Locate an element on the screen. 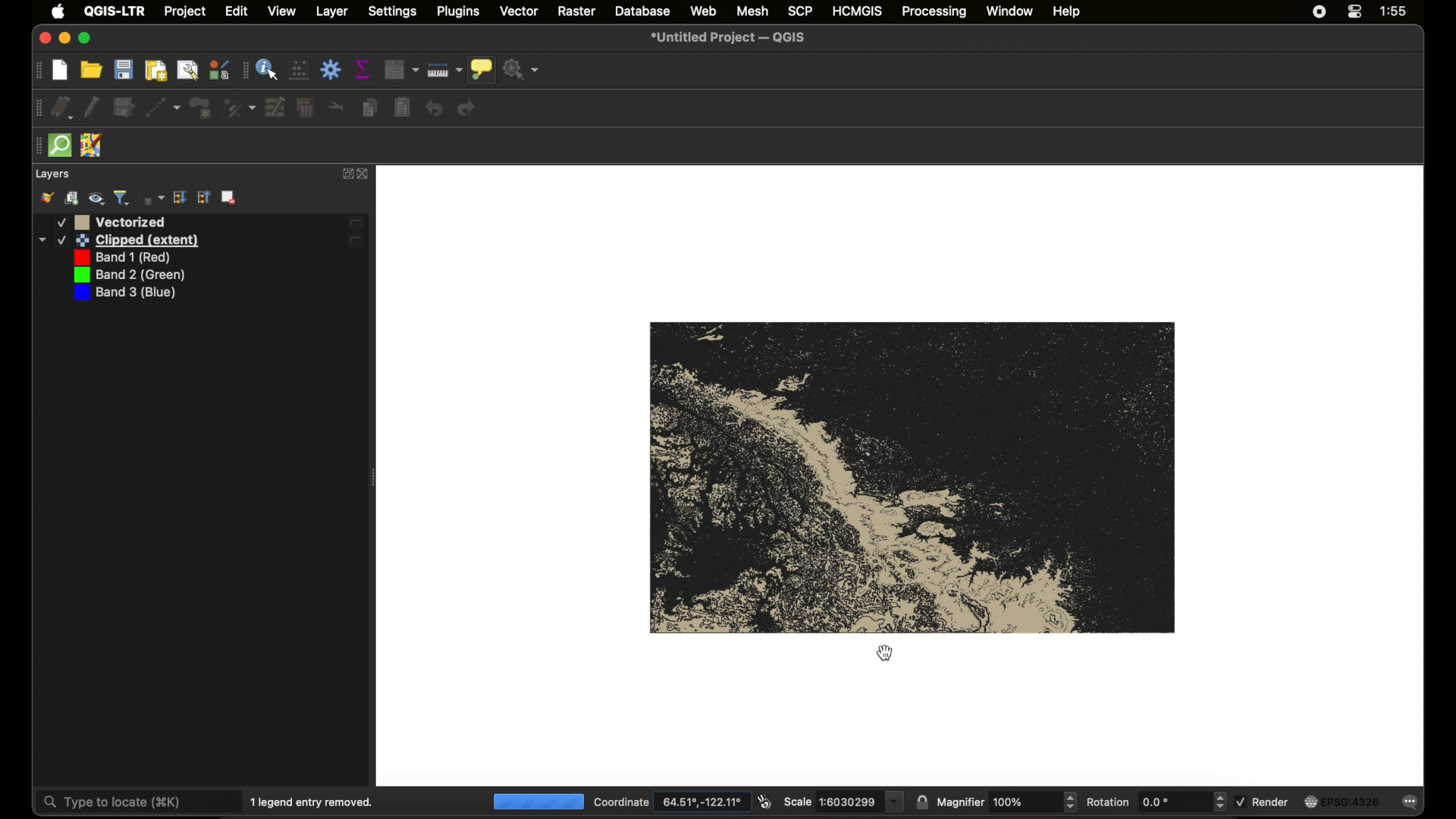 The width and height of the screenshot is (1456, 819). measure line is located at coordinates (444, 71).